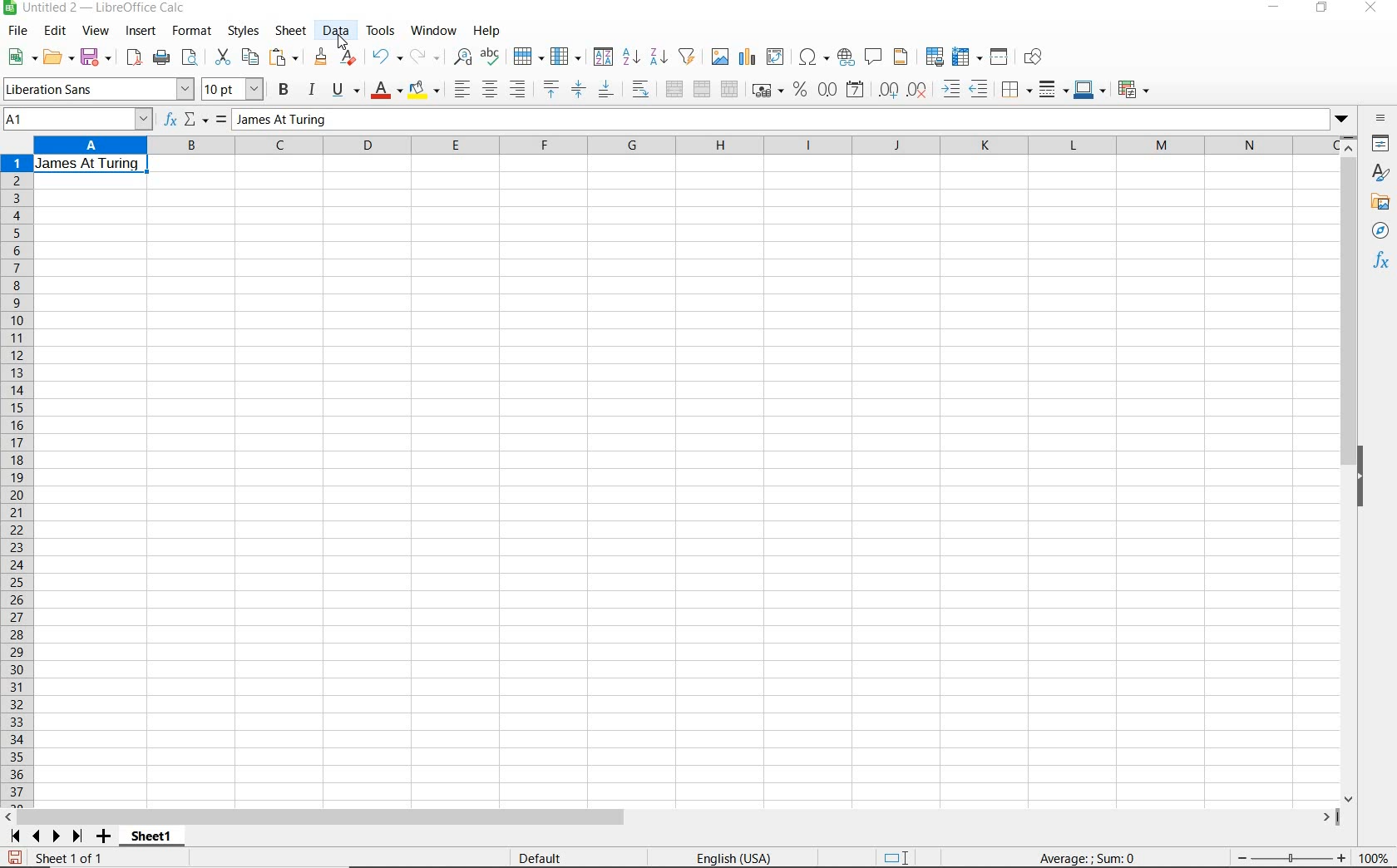  What do you see at coordinates (730, 88) in the screenshot?
I see `unmerge cells` at bounding box center [730, 88].